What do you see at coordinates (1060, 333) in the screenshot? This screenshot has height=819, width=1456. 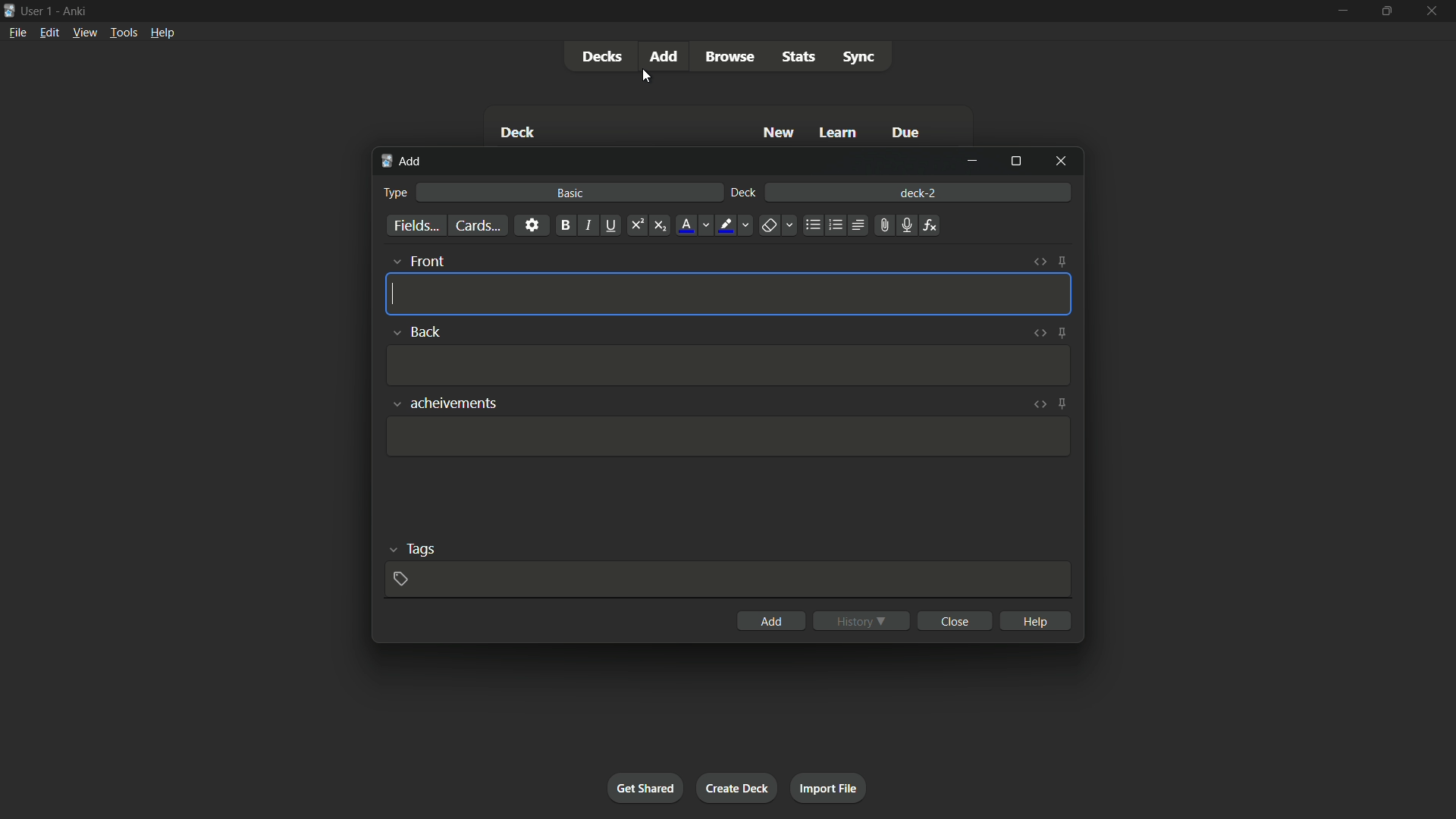 I see `toggle sticky` at bounding box center [1060, 333].